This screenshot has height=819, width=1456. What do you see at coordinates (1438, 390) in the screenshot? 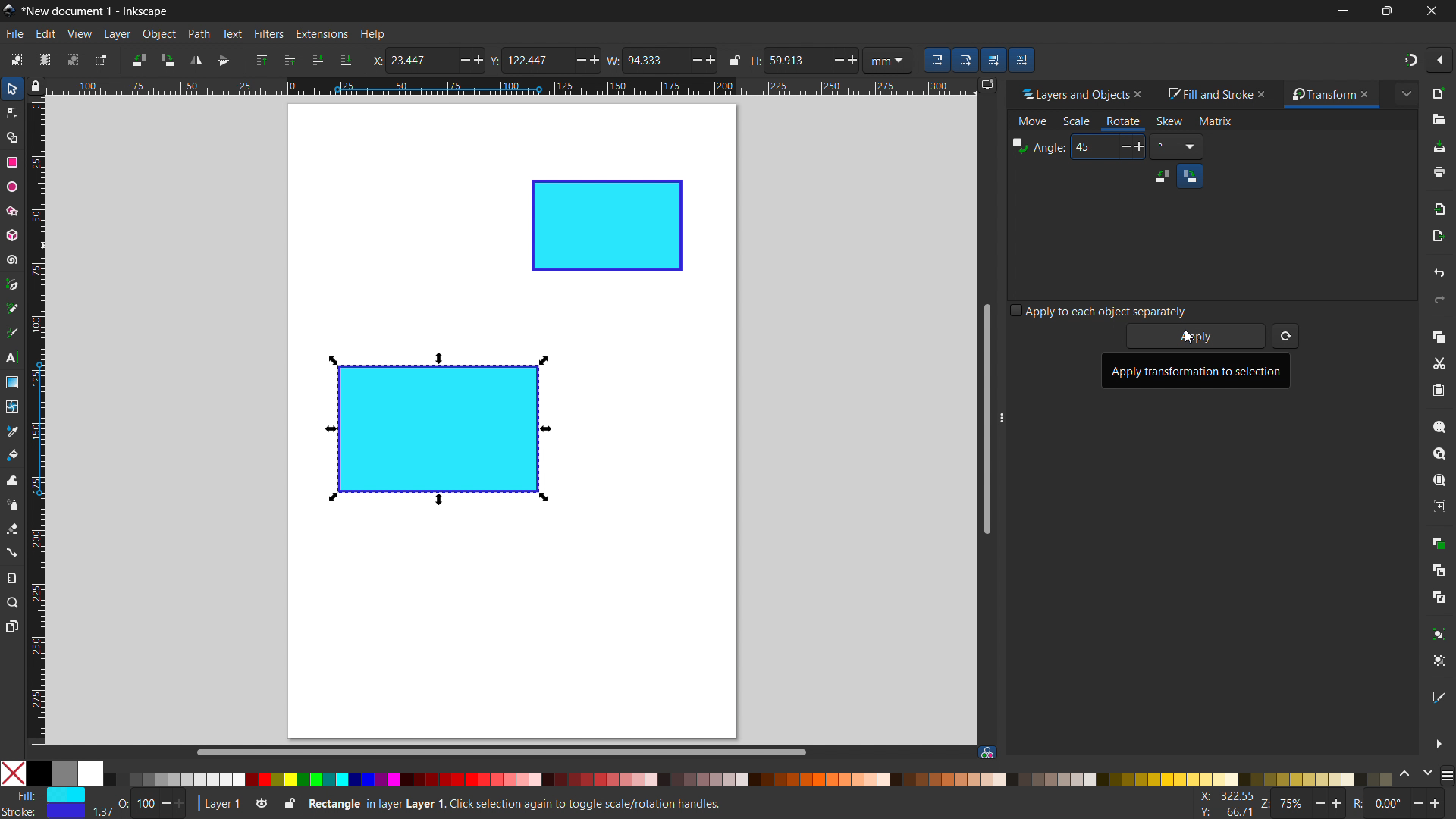
I see `paste` at bounding box center [1438, 390].